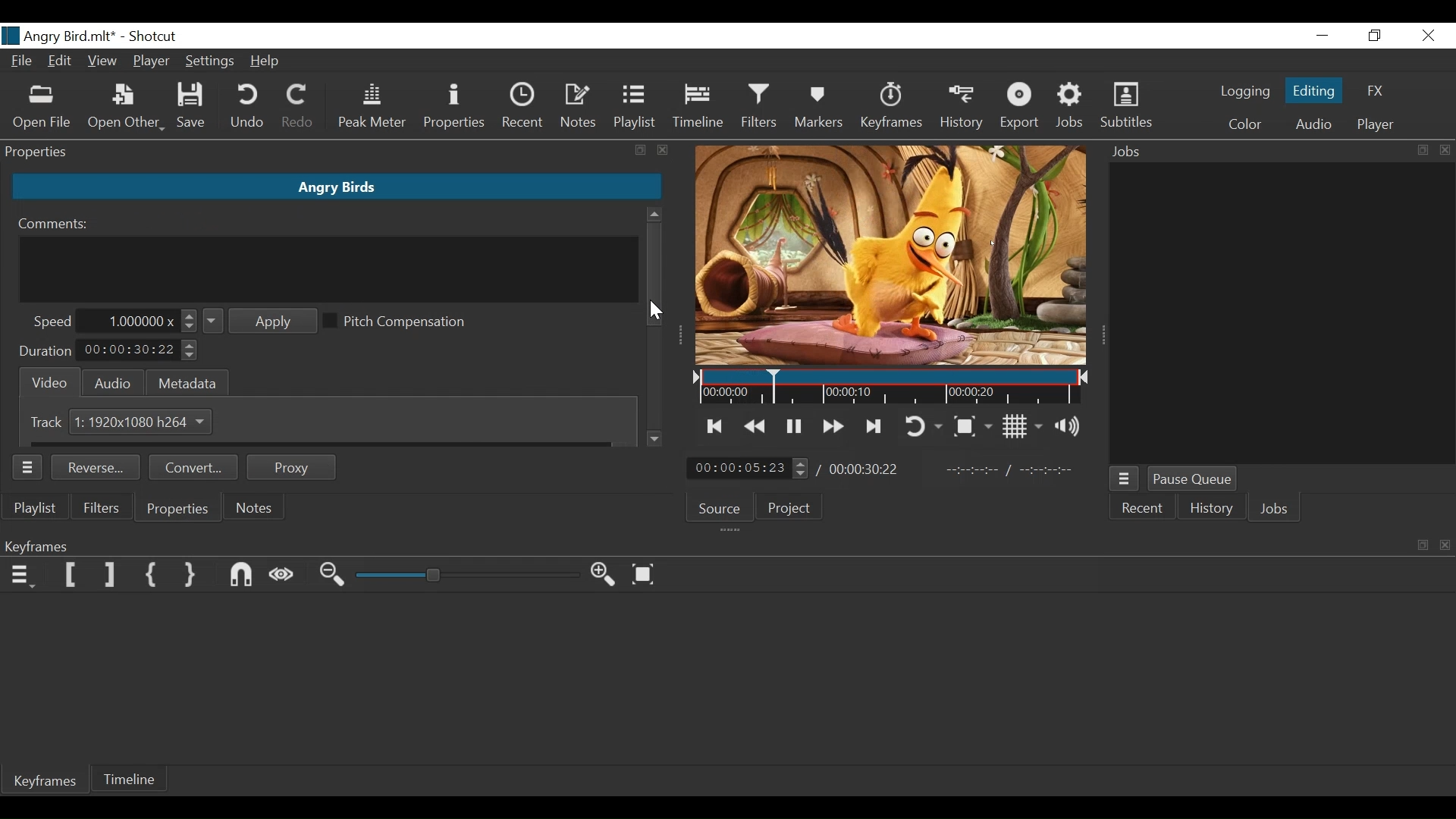 This screenshot has width=1456, height=819. I want to click on Settings, so click(208, 63).